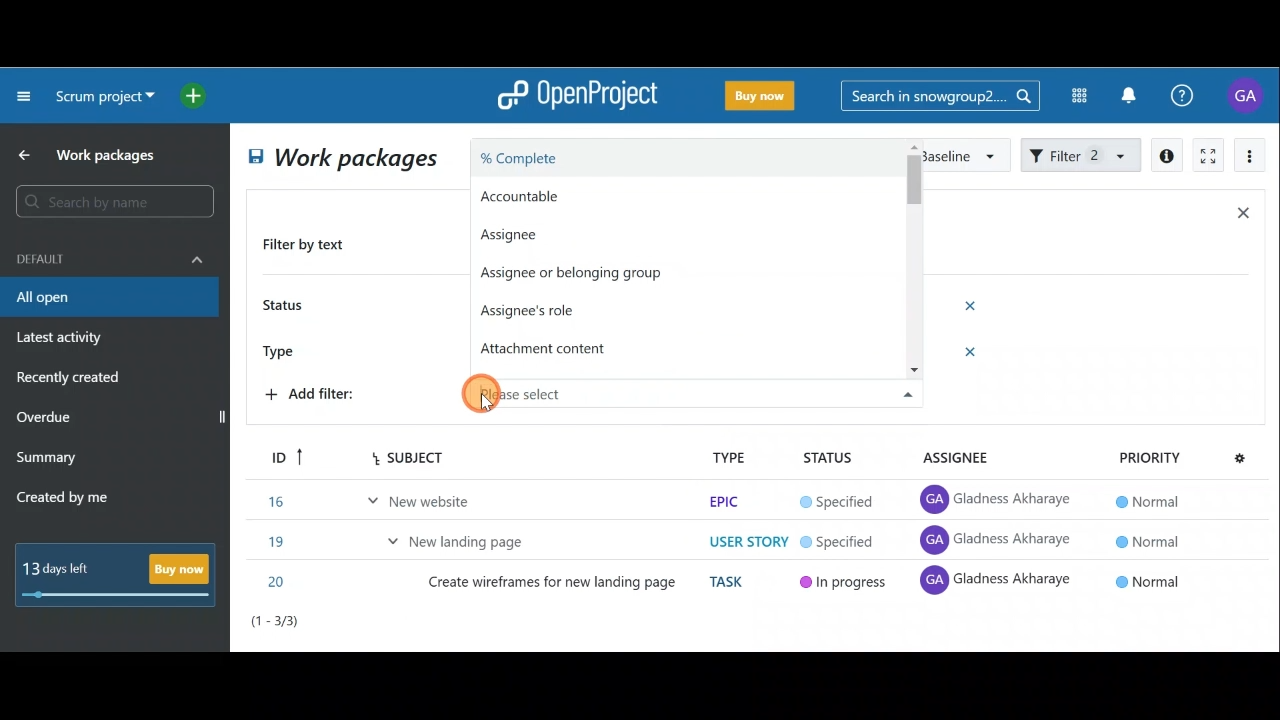  I want to click on Notification center, so click(1131, 93).